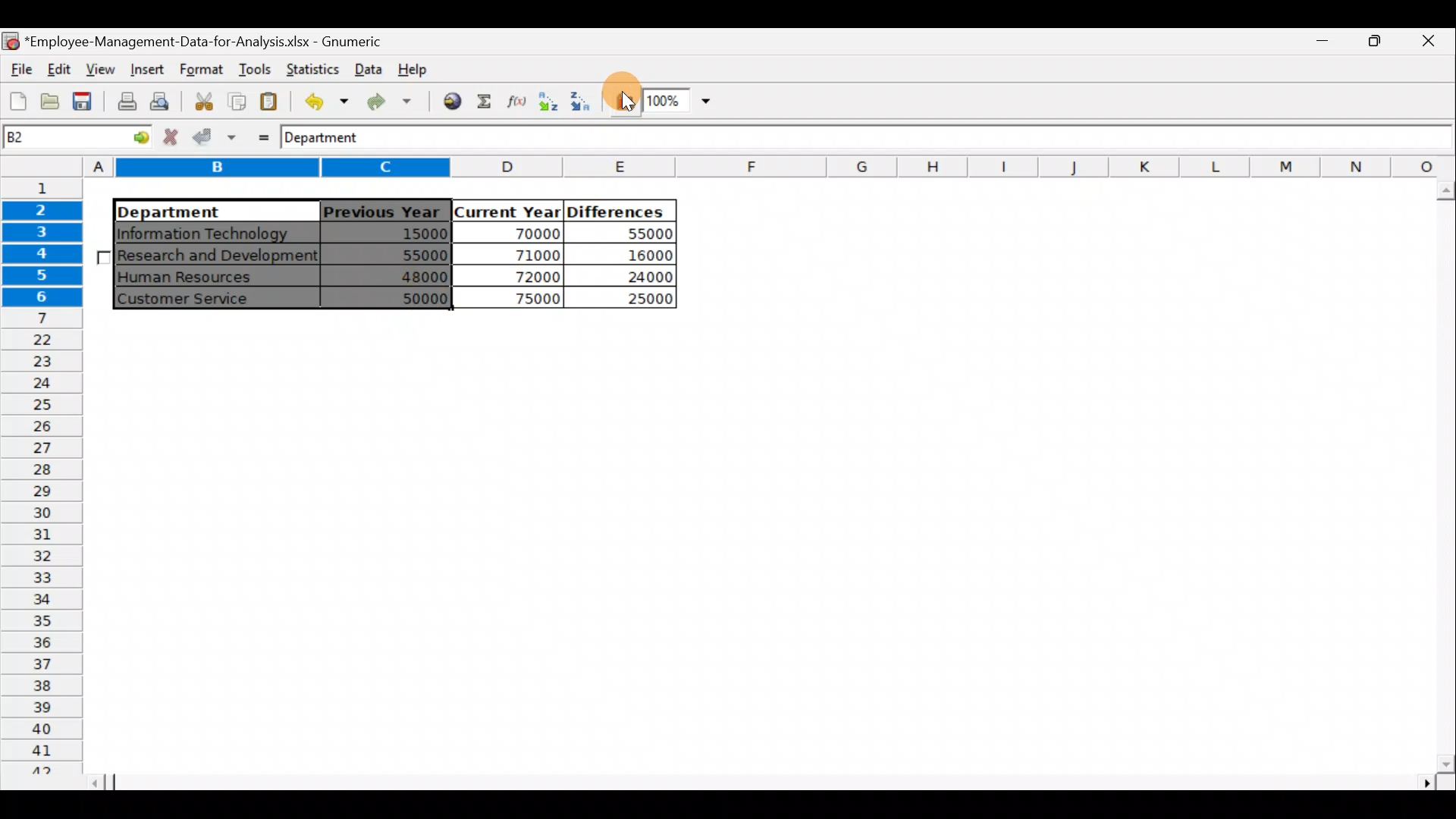 The width and height of the screenshot is (1456, 819). I want to click on Maximize, so click(1328, 43).